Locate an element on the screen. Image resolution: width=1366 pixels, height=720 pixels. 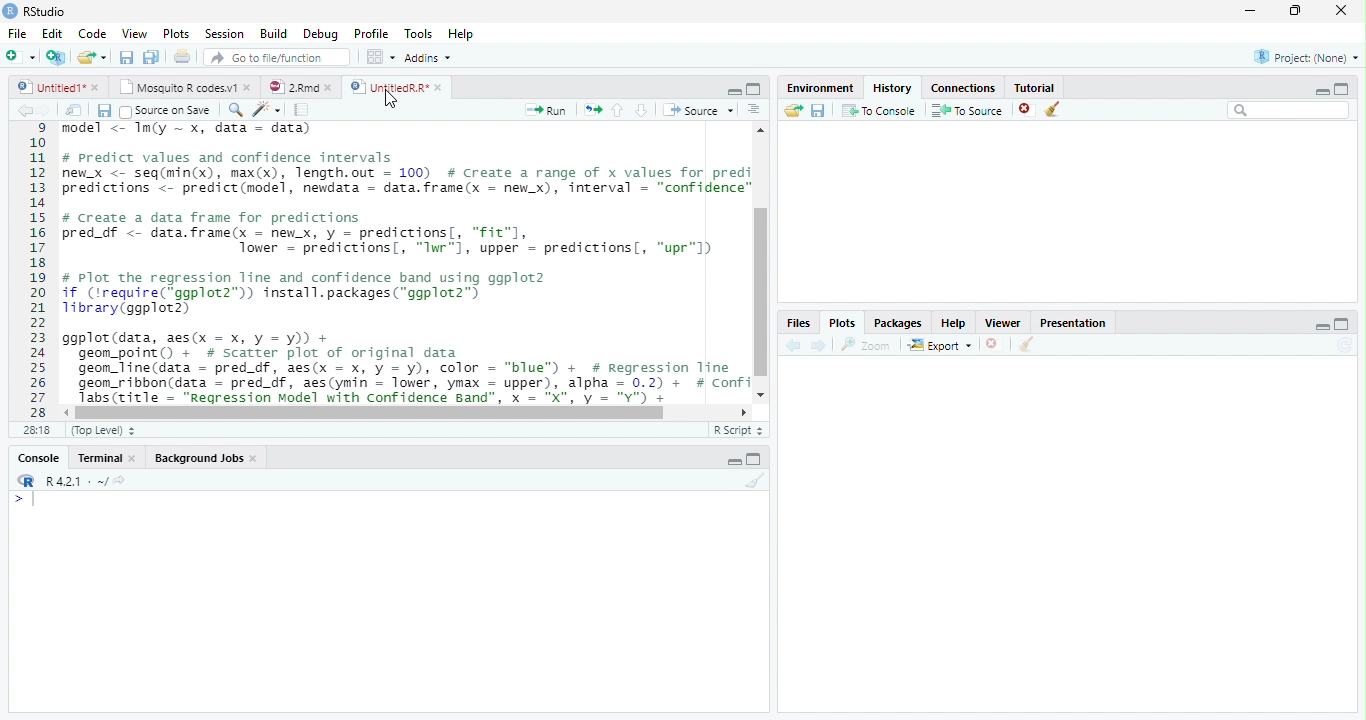
Source is located at coordinates (699, 111).